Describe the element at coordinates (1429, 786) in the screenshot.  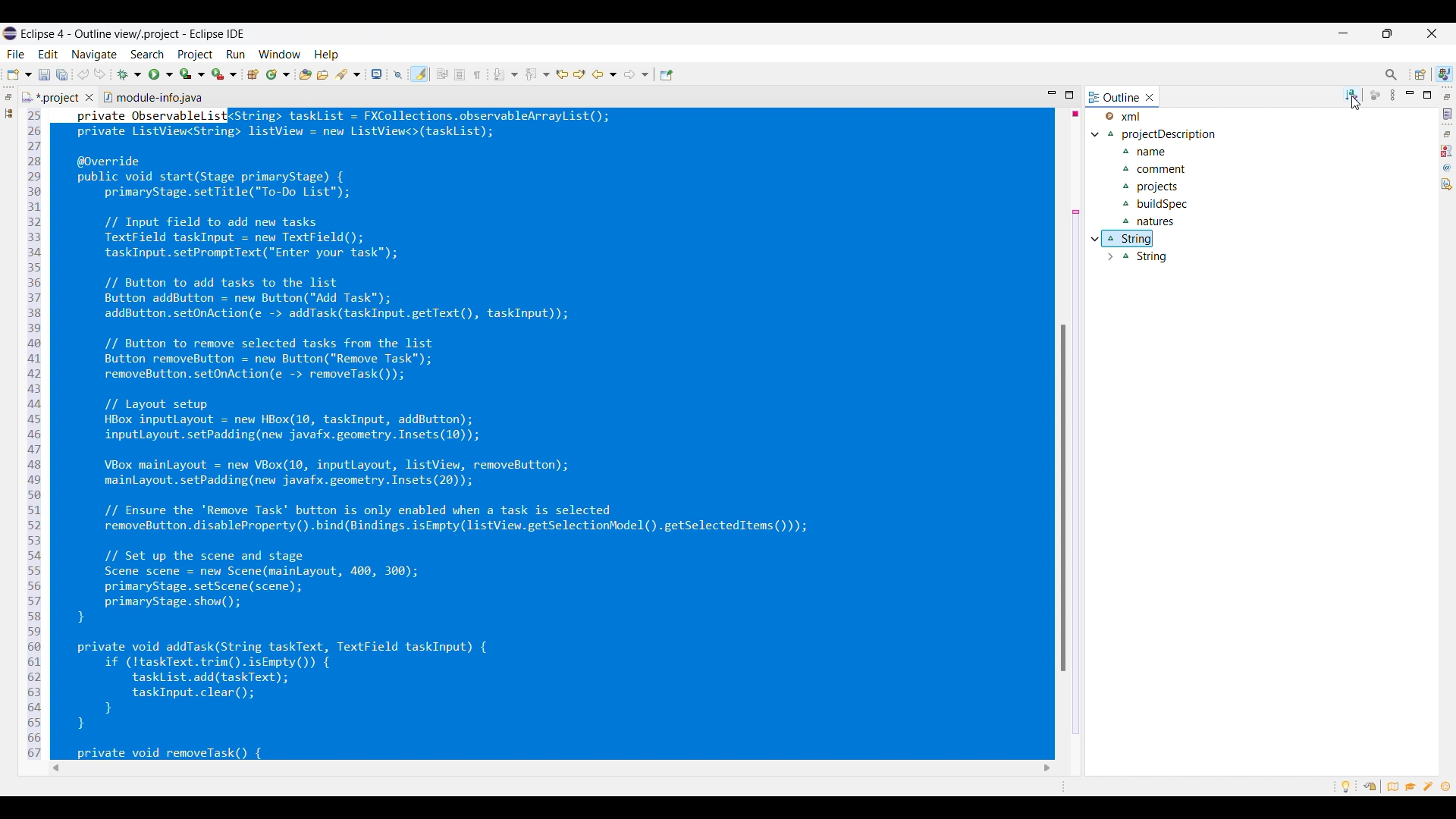
I see `Samples` at that location.